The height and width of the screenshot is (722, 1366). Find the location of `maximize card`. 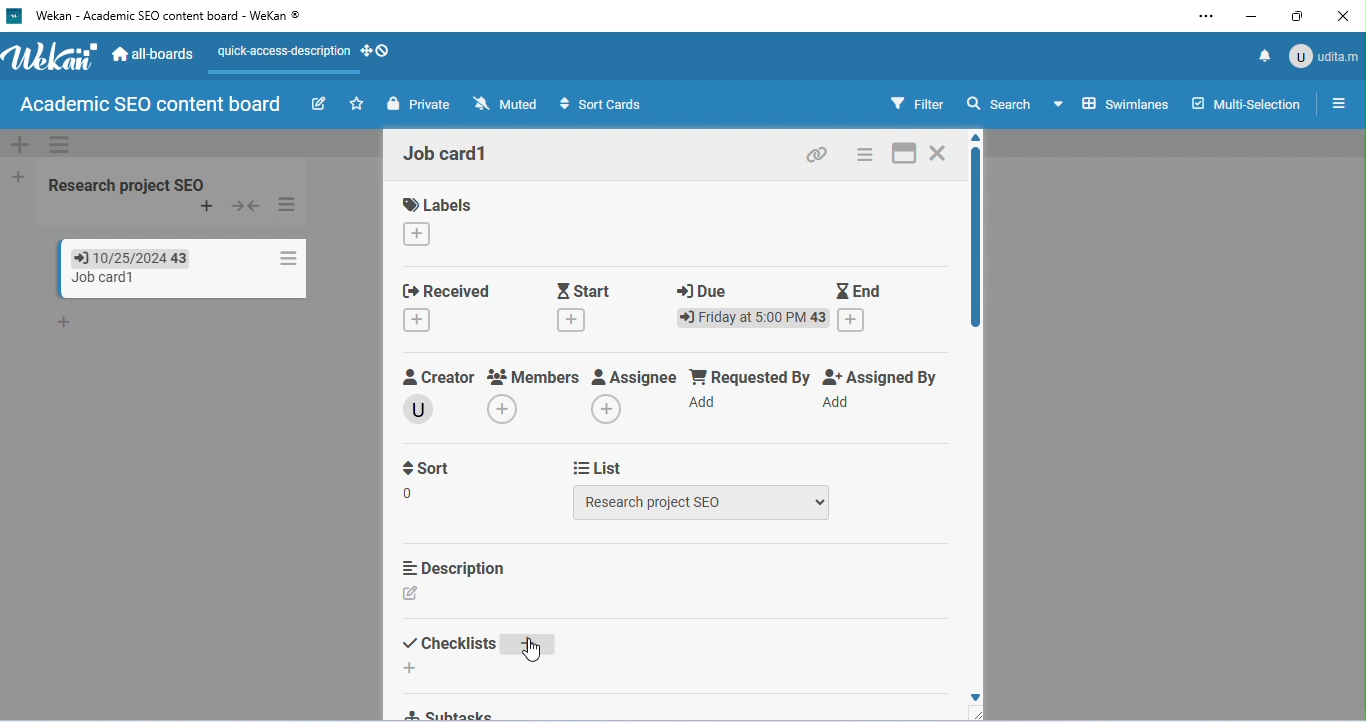

maximize card is located at coordinates (904, 154).